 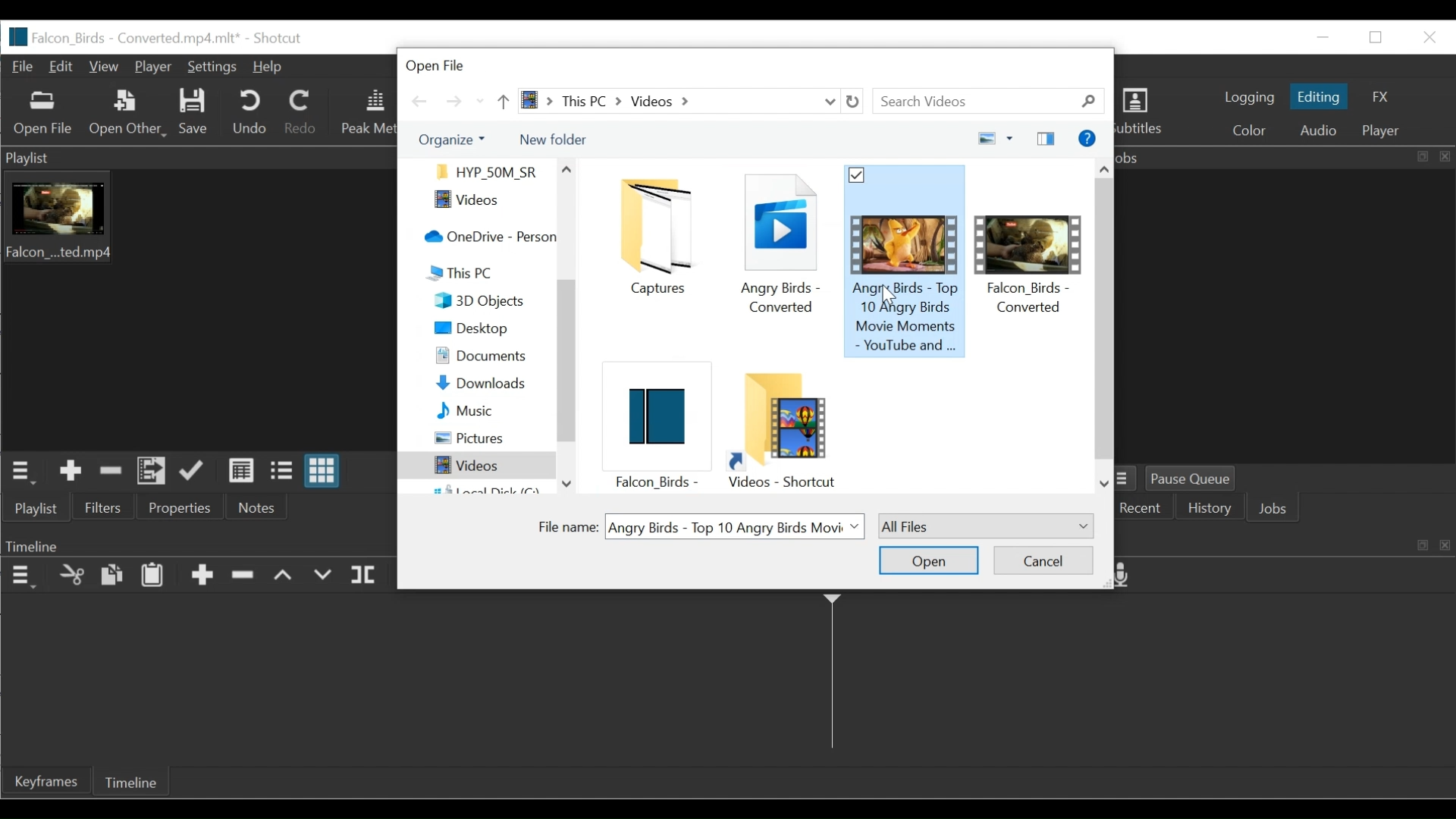 What do you see at coordinates (202, 577) in the screenshot?
I see `Append` at bounding box center [202, 577].